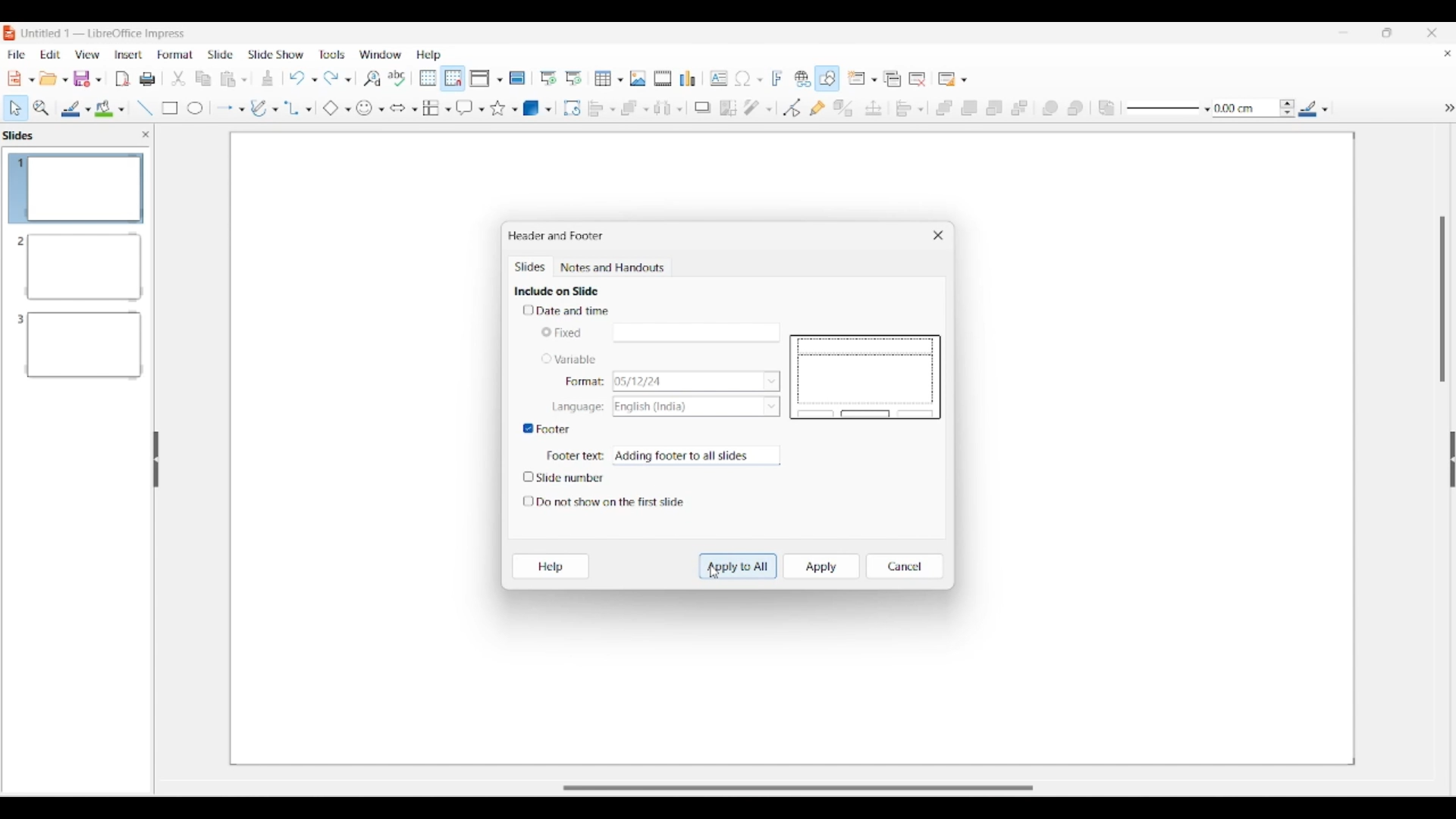 Image resolution: width=1456 pixels, height=819 pixels. What do you see at coordinates (156, 460) in the screenshot?
I see `Hide left panel` at bounding box center [156, 460].